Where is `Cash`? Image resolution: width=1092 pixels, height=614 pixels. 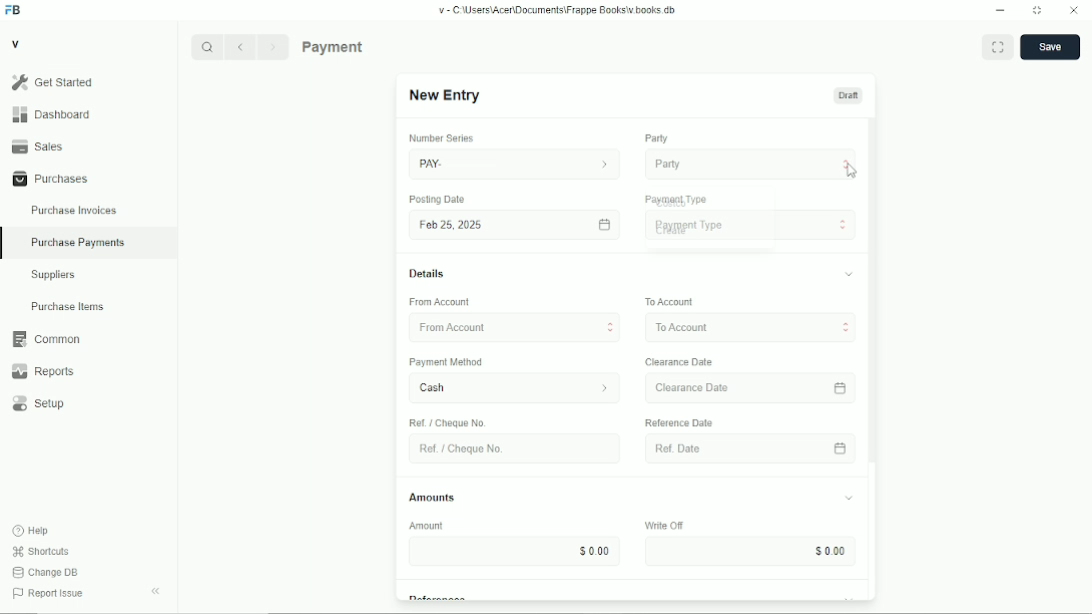 Cash is located at coordinates (505, 389).